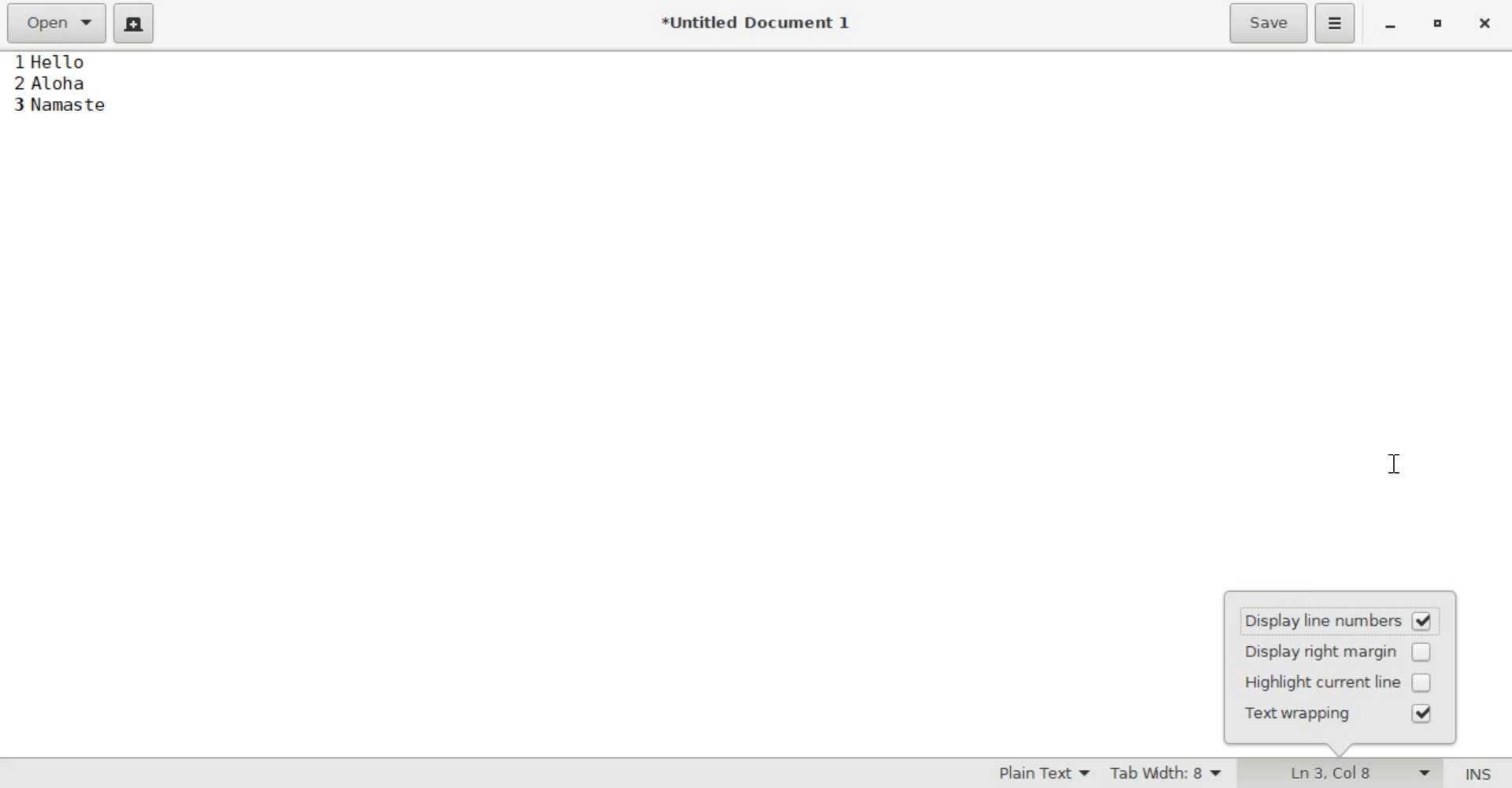 This screenshot has width=1512, height=788. Describe the element at coordinates (1310, 716) in the screenshot. I see `Text wrapping` at that location.